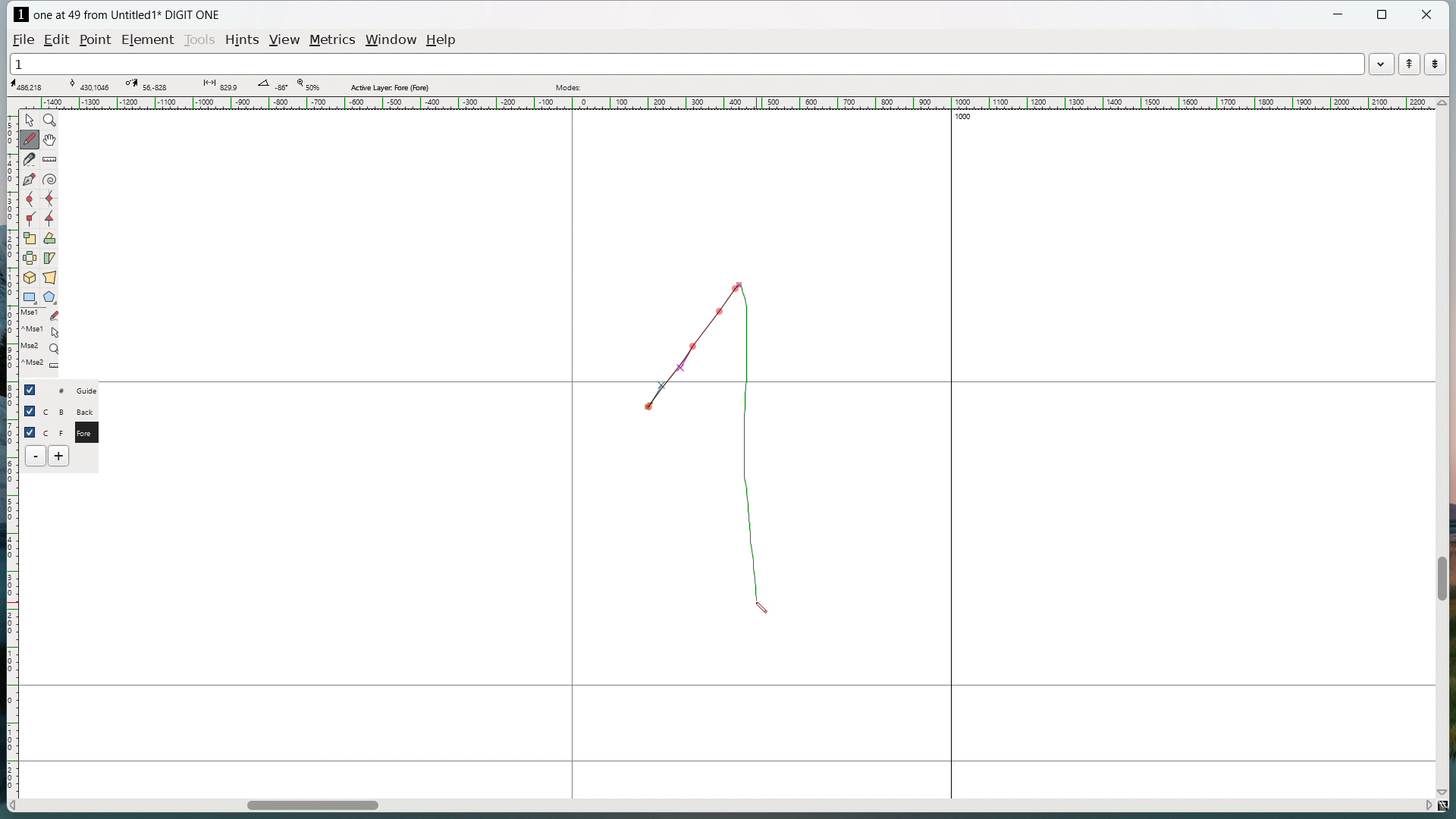 The height and width of the screenshot is (819, 1456). I want to click on rotate, so click(49, 238).